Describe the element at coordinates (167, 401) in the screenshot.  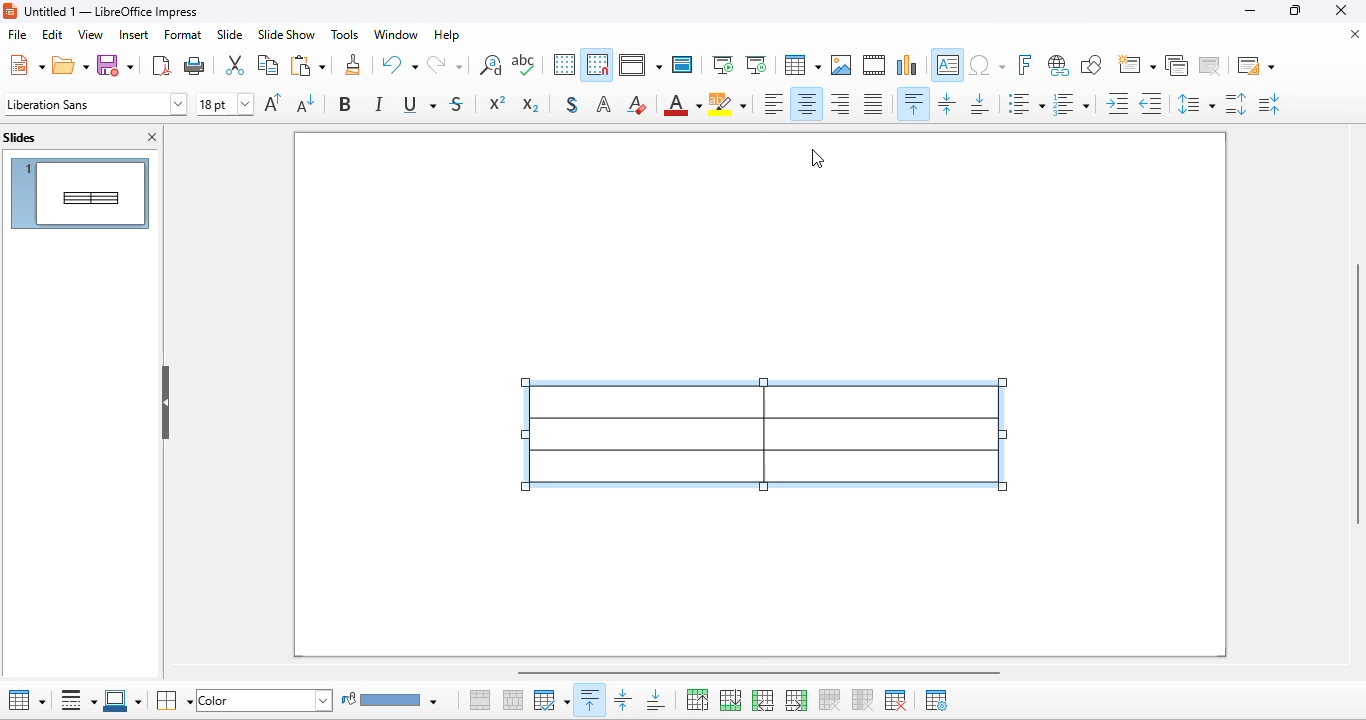
I see `hide pane` at that location.